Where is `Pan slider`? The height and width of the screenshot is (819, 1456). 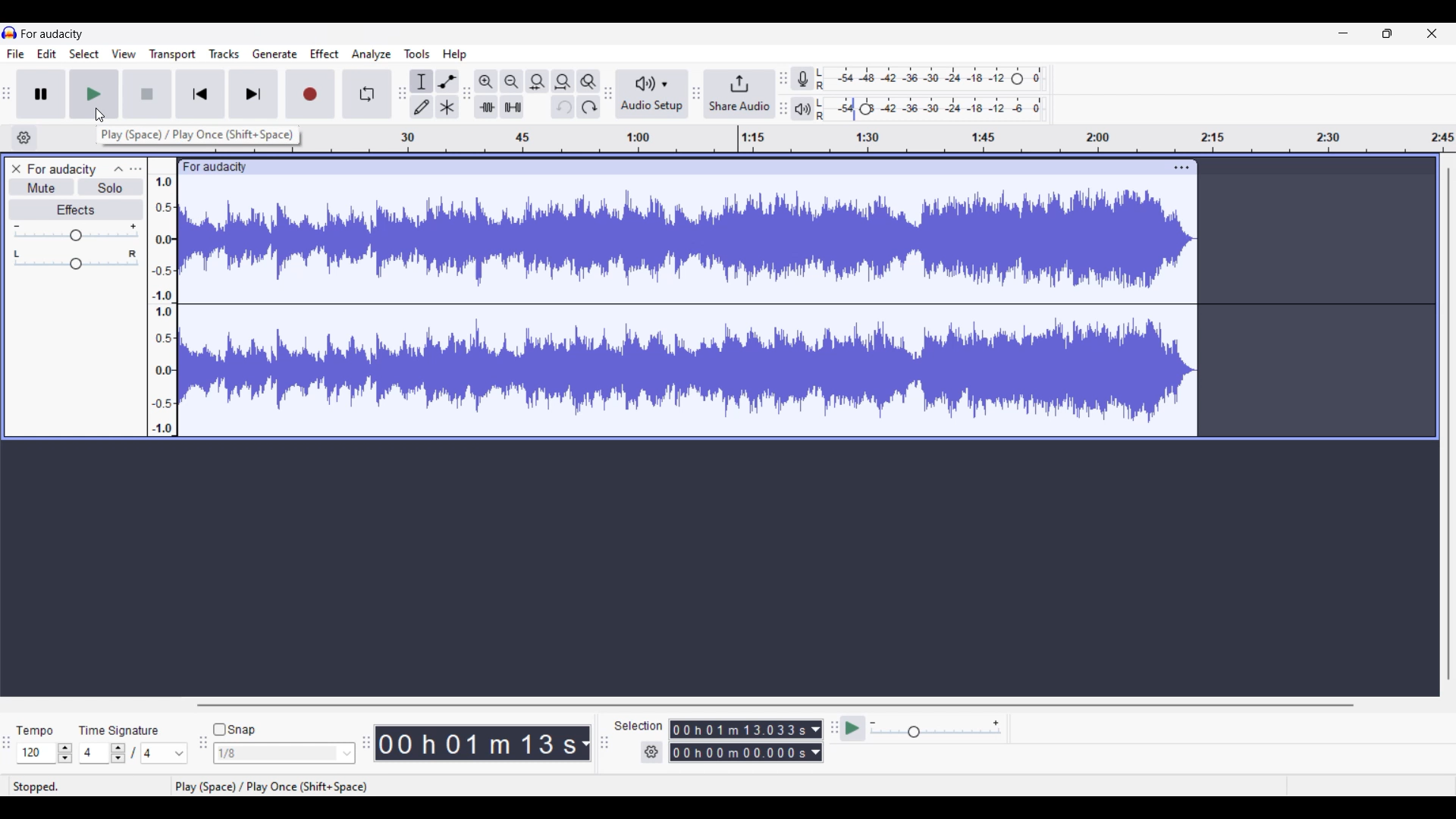
Pan slider is located at coordinates (75, 259).